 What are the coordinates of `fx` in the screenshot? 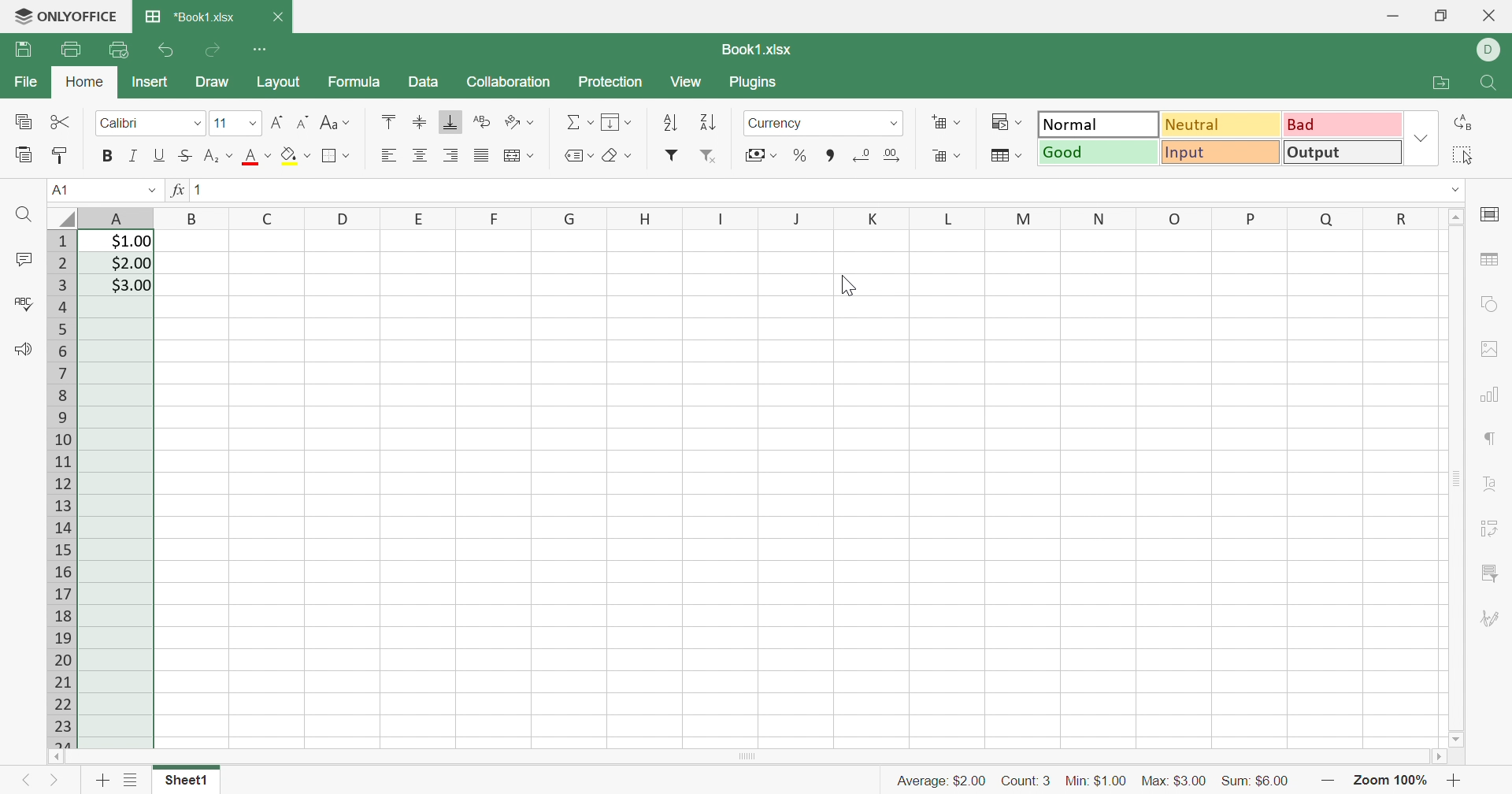 It's located at (176, 190).